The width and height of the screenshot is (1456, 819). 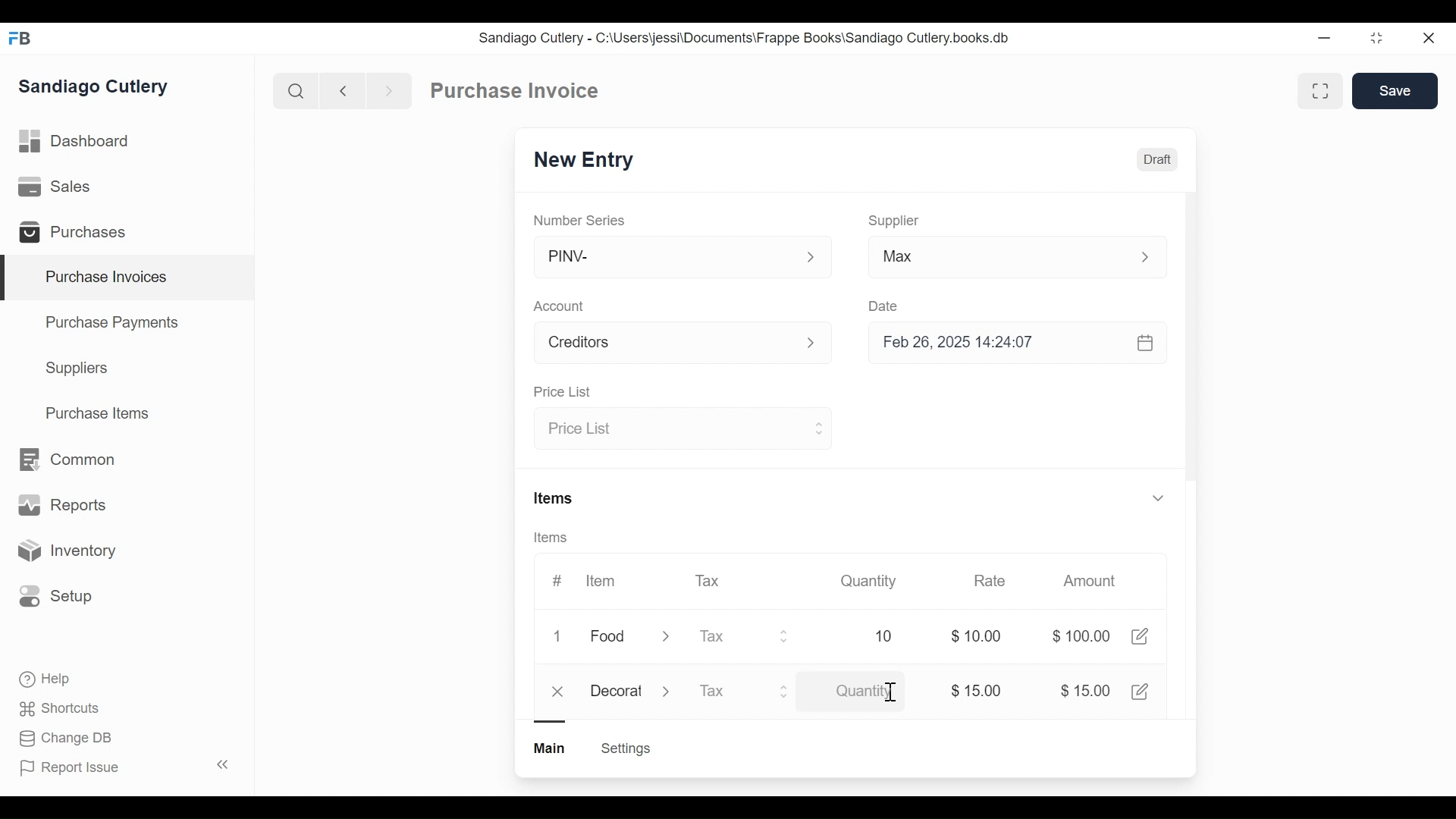 What do you see at coordinates (46, 679) in the screenshot?
I see `Help` at bounding box center [46, 679].